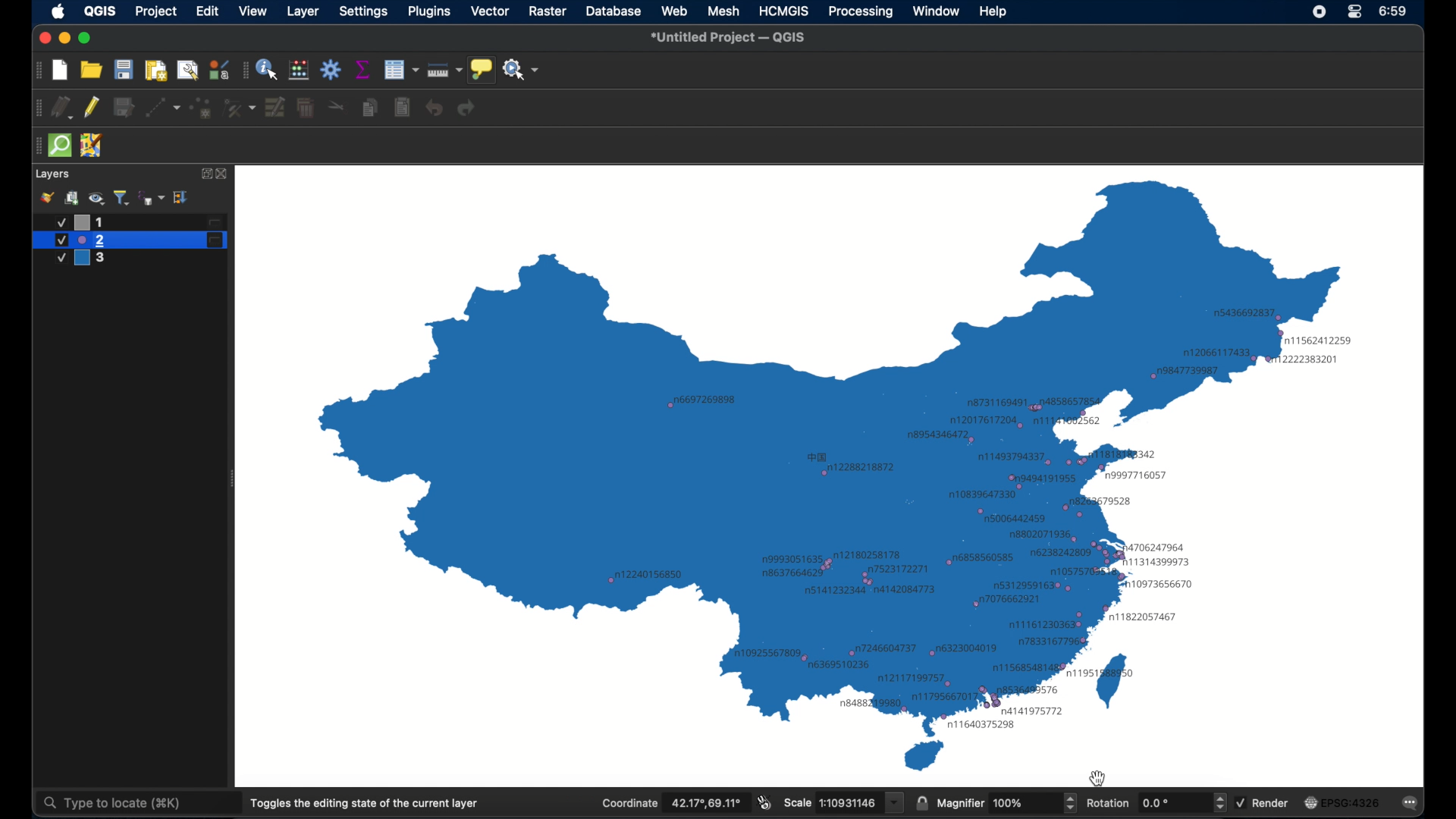 Image resolution: width=1456 pixels, height=819 pixels. I want to click on close, so click(224, 174).